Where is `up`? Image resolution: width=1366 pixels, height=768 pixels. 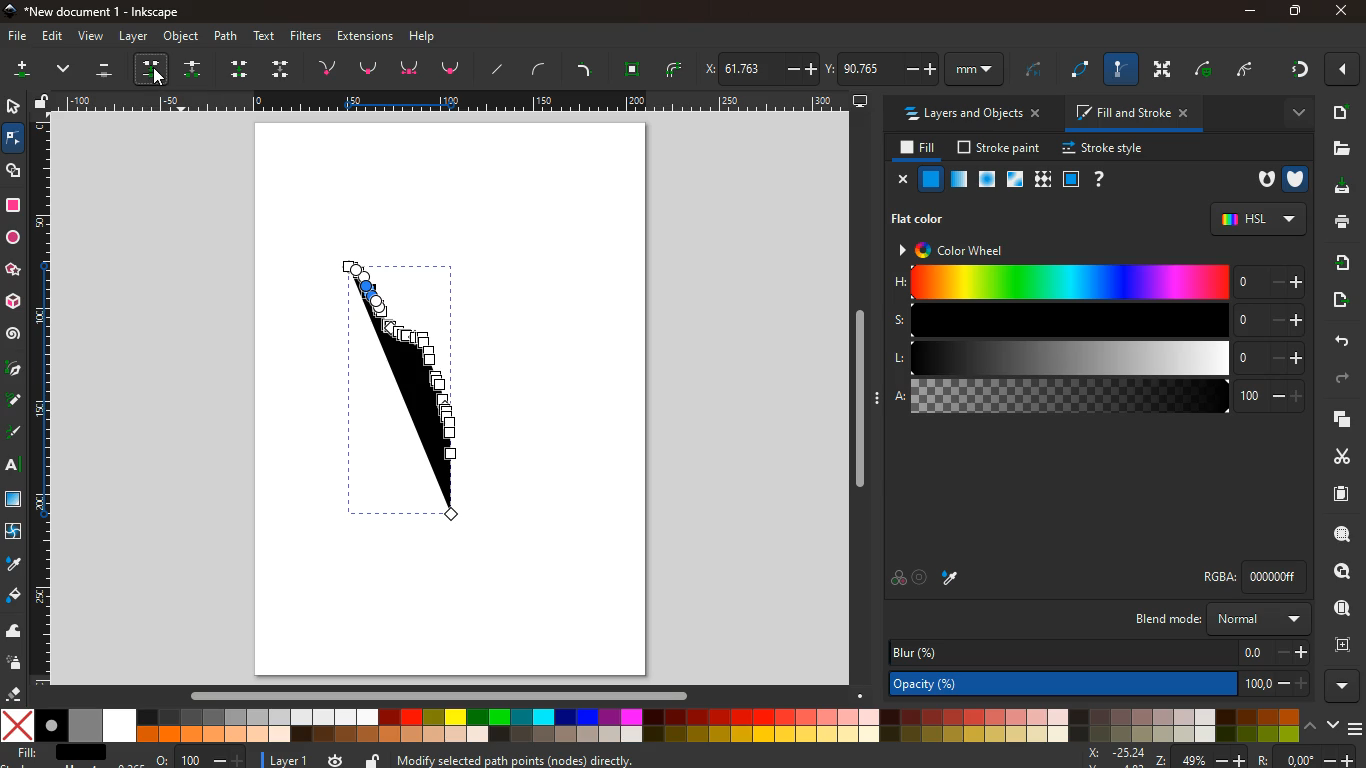
up is located at coordinates (1310, 725).